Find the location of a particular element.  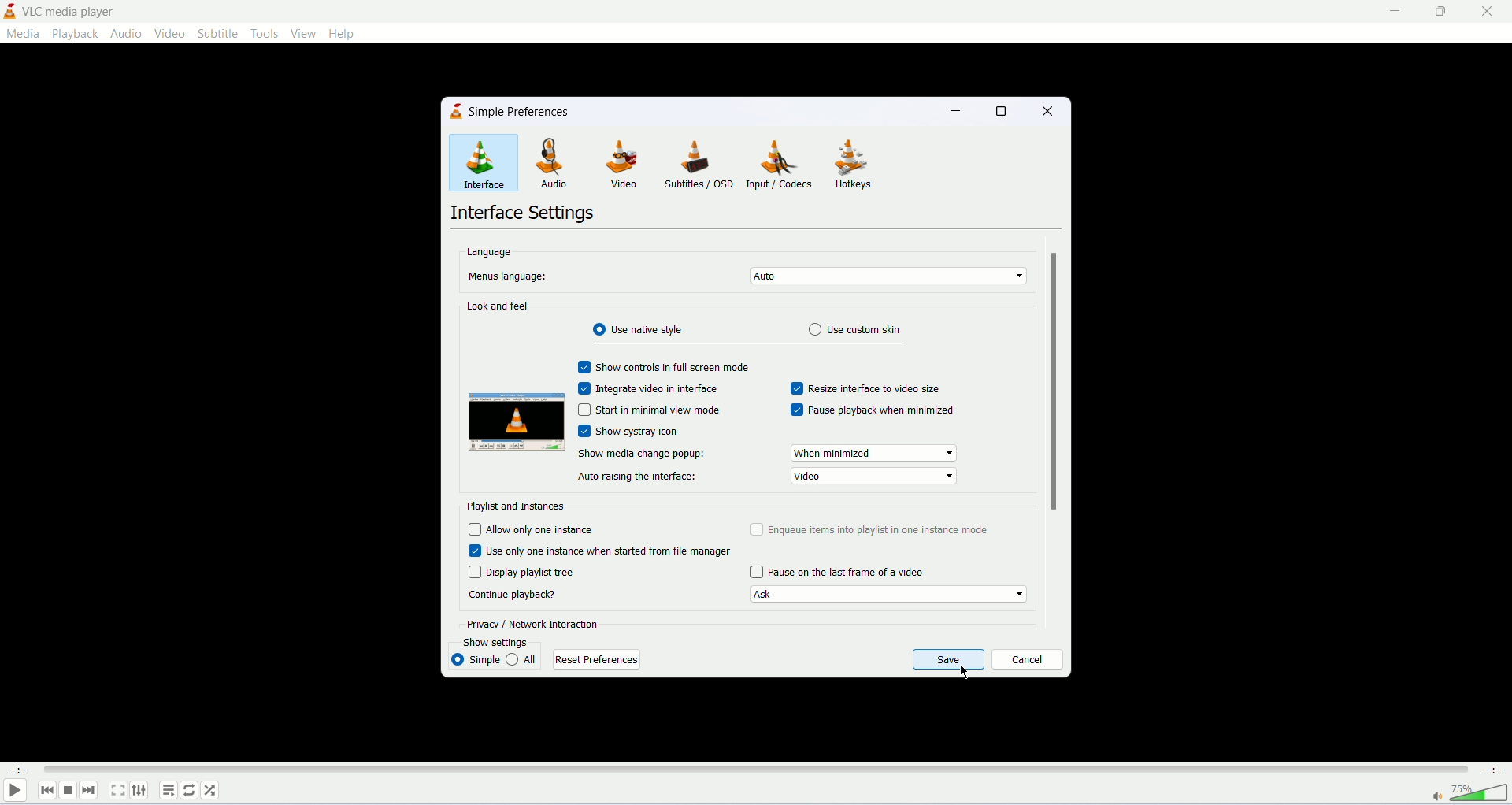

show settings is located at coordinates (495, 641).